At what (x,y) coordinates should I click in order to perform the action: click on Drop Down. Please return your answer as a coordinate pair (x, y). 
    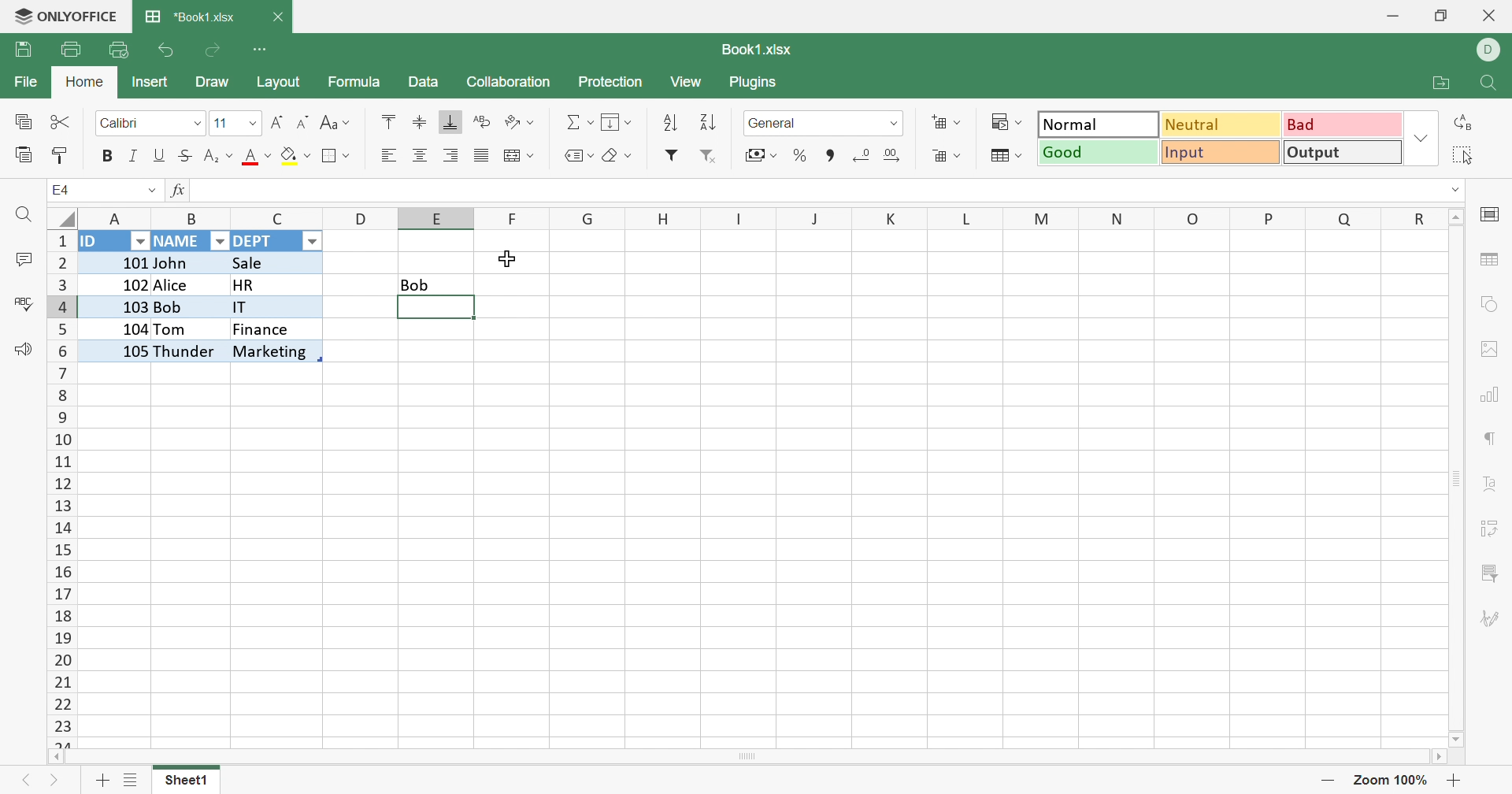
    Looking at the image, I should click on (137, 240).